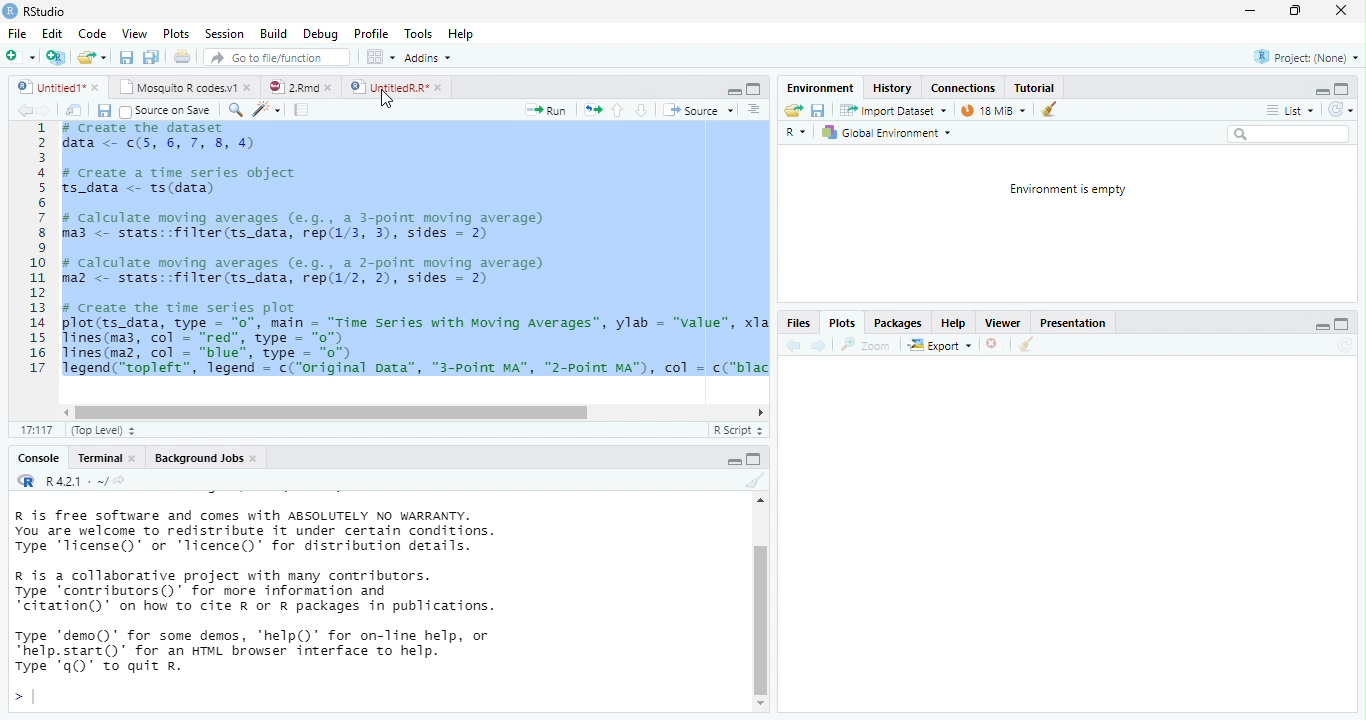 This screenshot has height=720, width=1366. What do you see at coordinates (63, 412) in the screenshot?
I see `scrollbar left` at bounding box center [63, 412].